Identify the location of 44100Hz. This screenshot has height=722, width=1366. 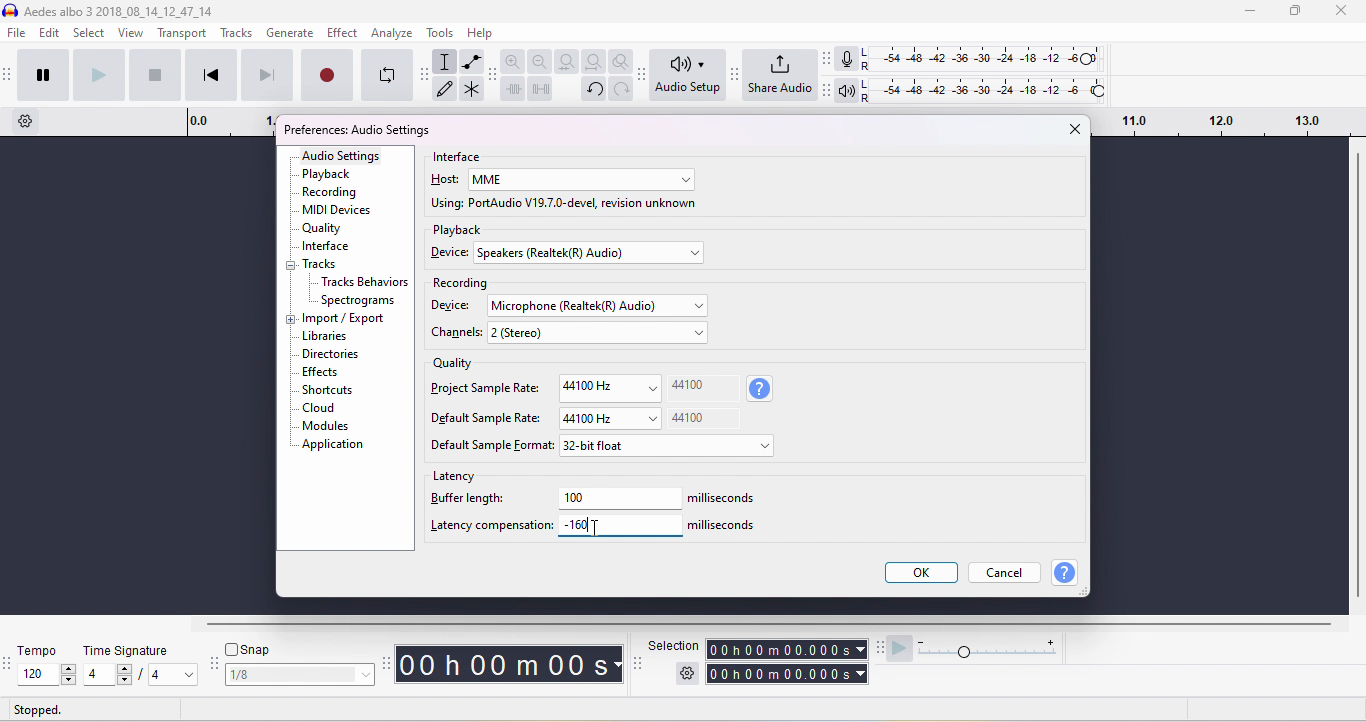
(608, 388).